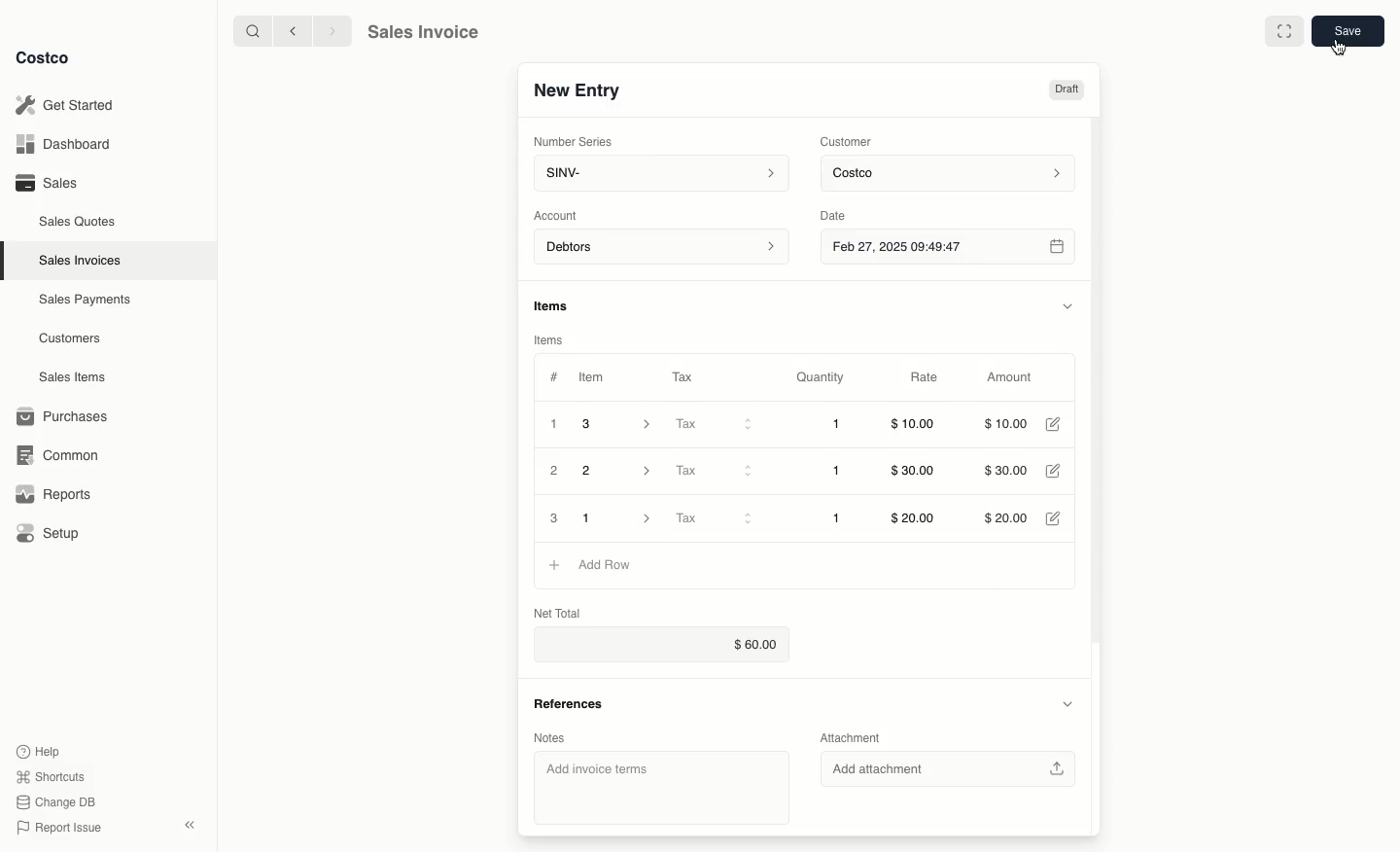 The image size is (1400, 852). Describe the element at coordinates (618, 518) in the screenshot. I see `1` at that location.